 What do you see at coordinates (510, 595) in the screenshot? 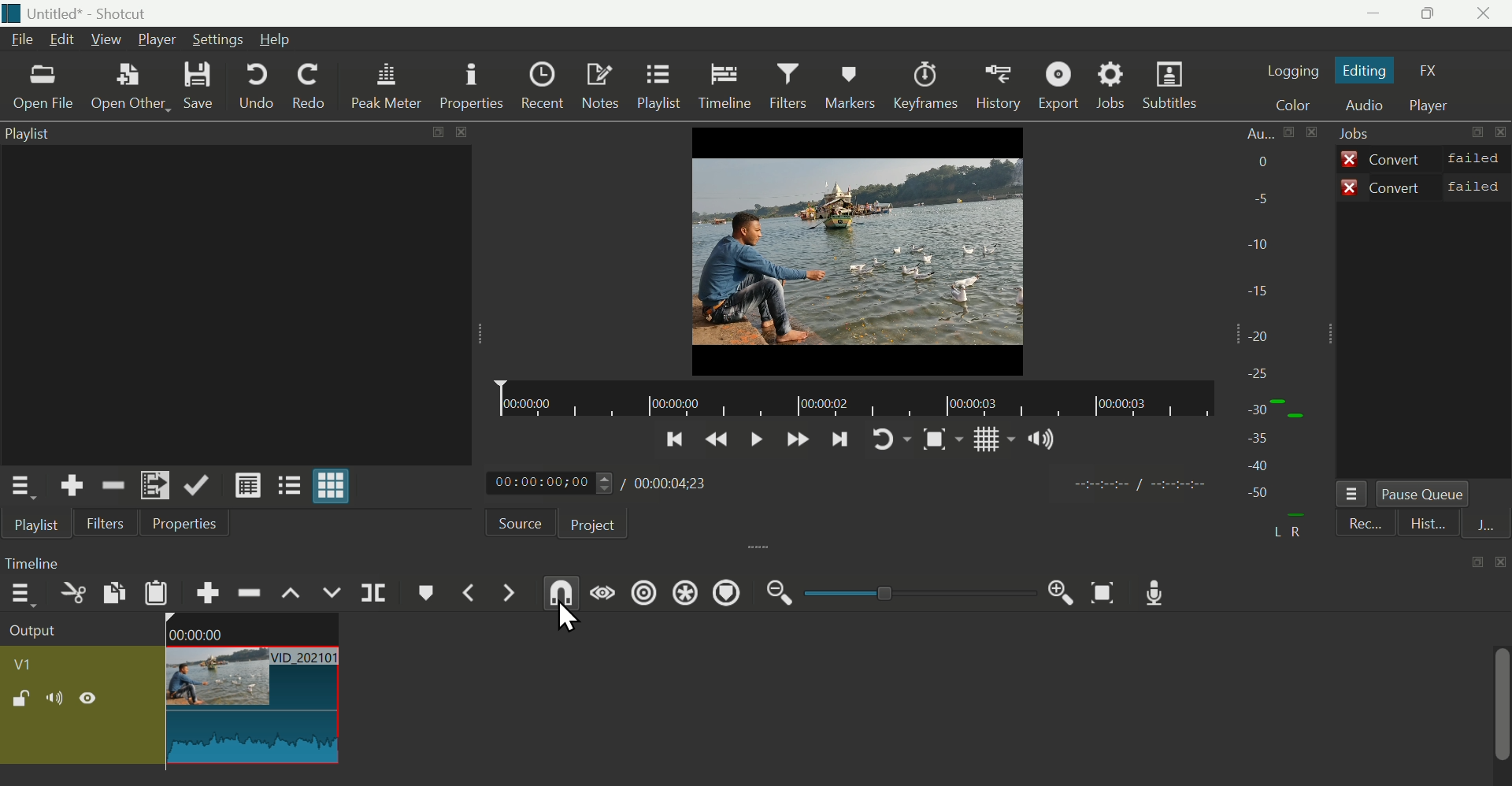
I see `` at bounding box center [510, 595].